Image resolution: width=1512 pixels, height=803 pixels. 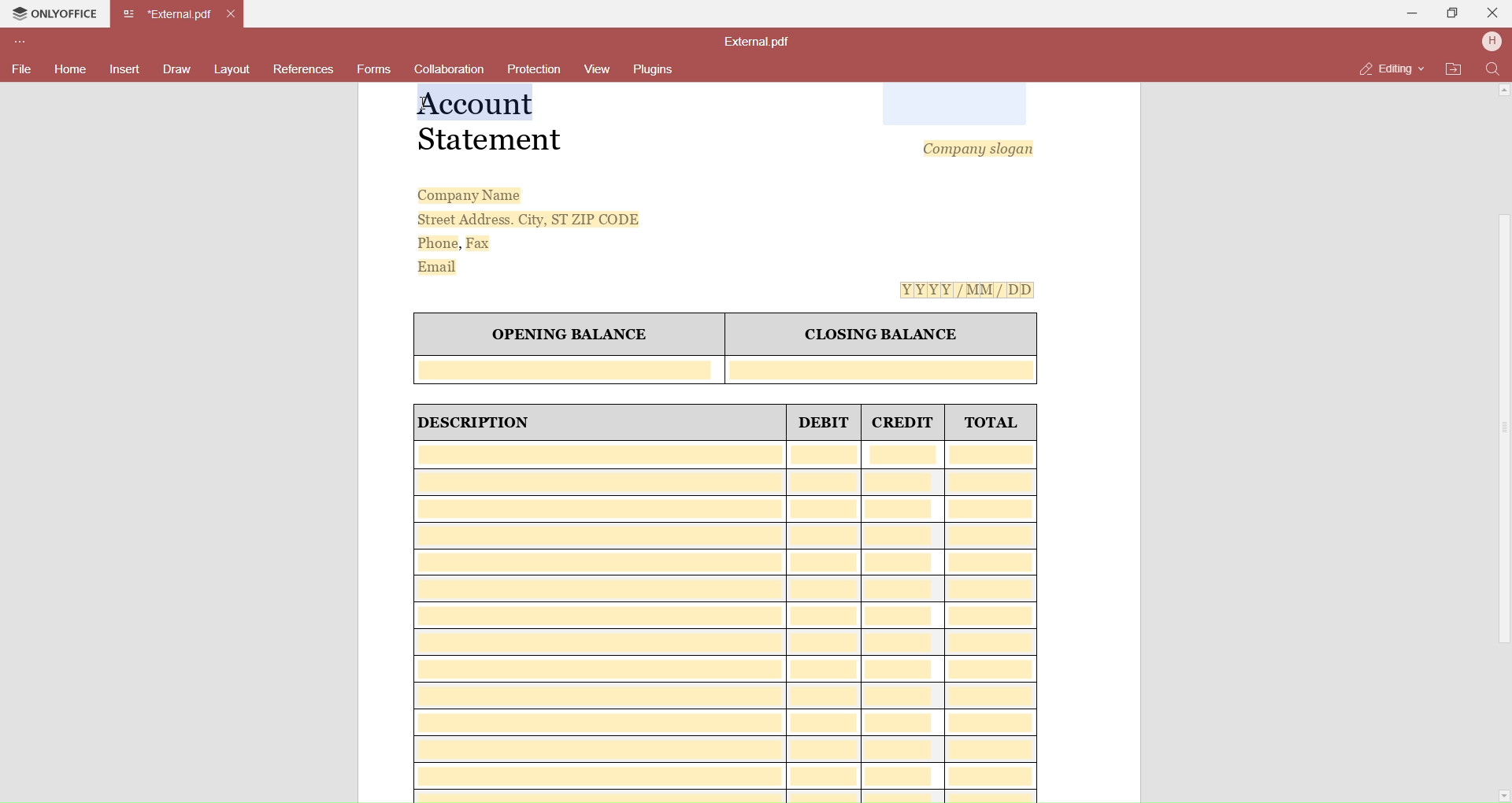 What do you see at coordinates (980, 147) in the screenshot?
I see `Company slogan` at bounding box center [980, 147].